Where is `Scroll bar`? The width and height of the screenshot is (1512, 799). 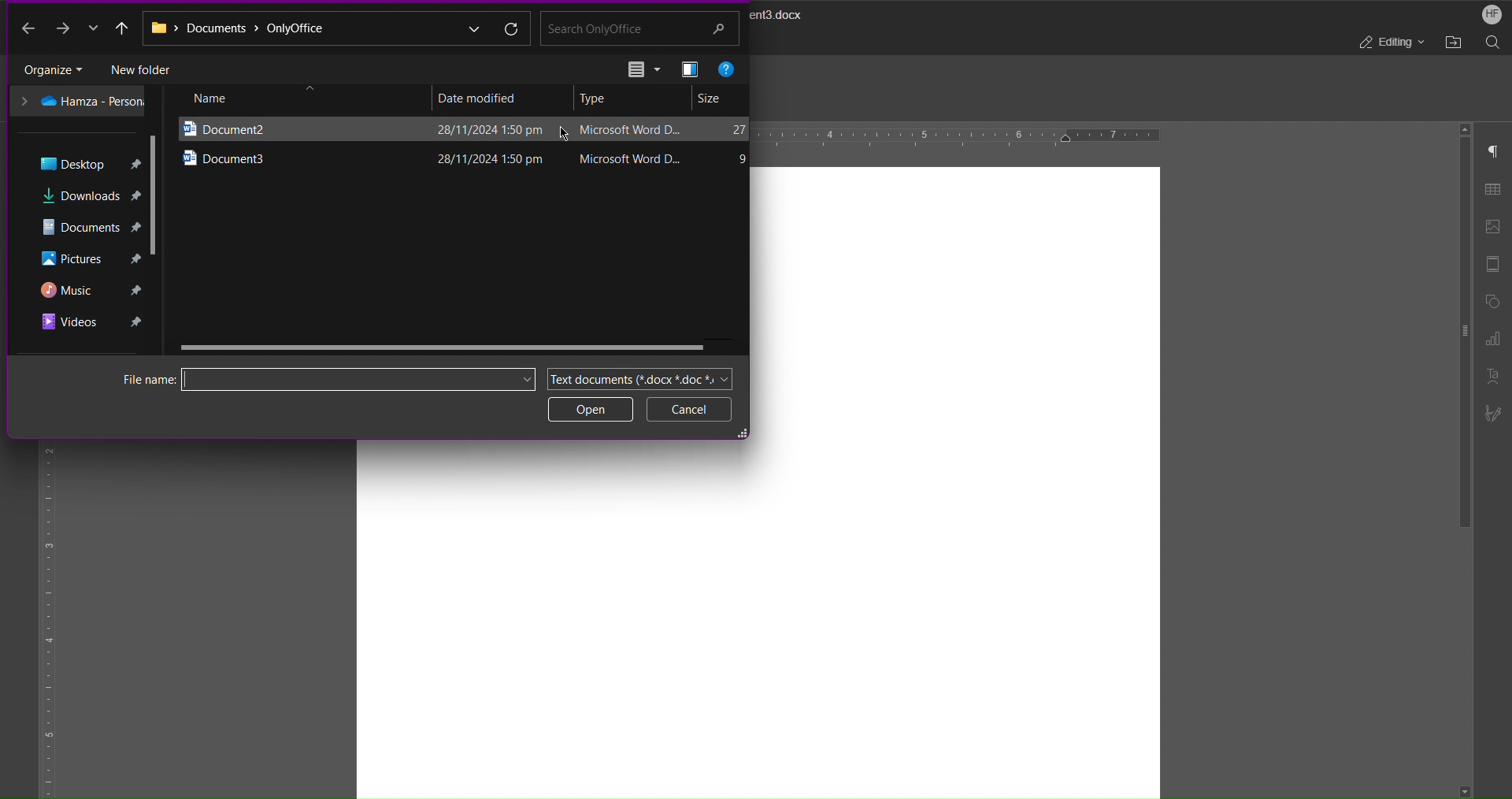 Scroll bar is located at coordinates (155, 193).